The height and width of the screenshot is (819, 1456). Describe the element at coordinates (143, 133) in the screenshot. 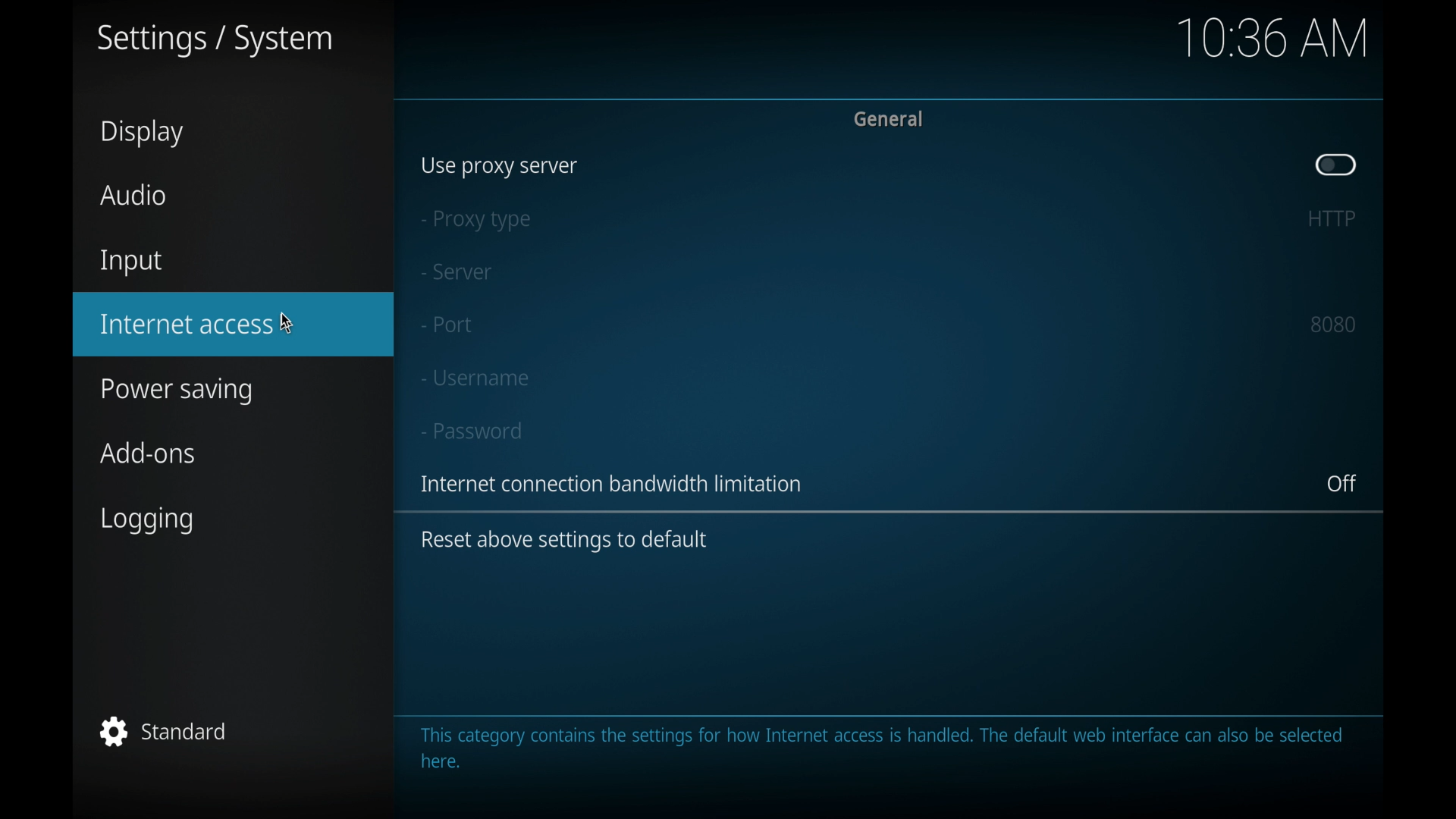

I see `display` at that location.